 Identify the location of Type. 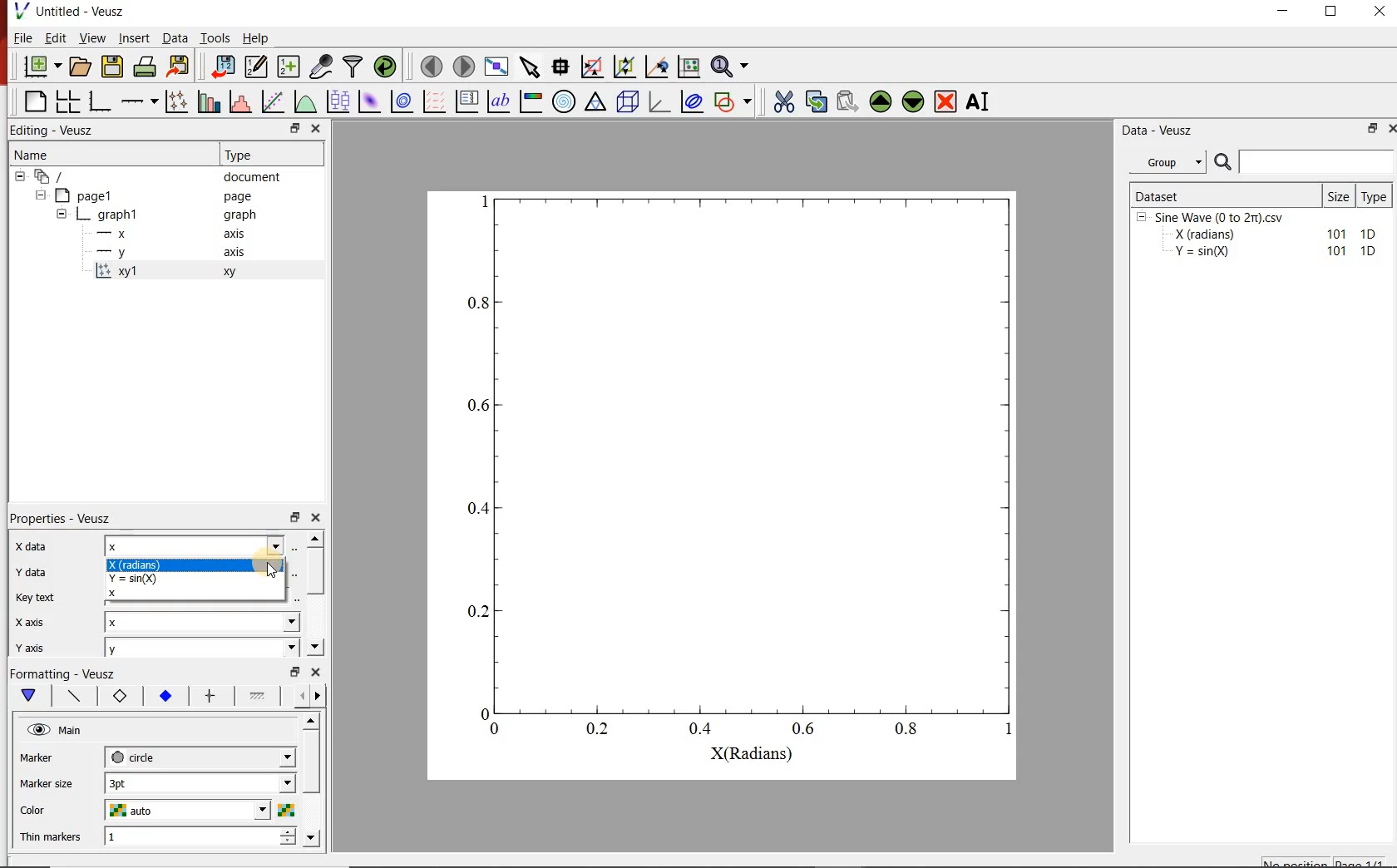
(243, 153).